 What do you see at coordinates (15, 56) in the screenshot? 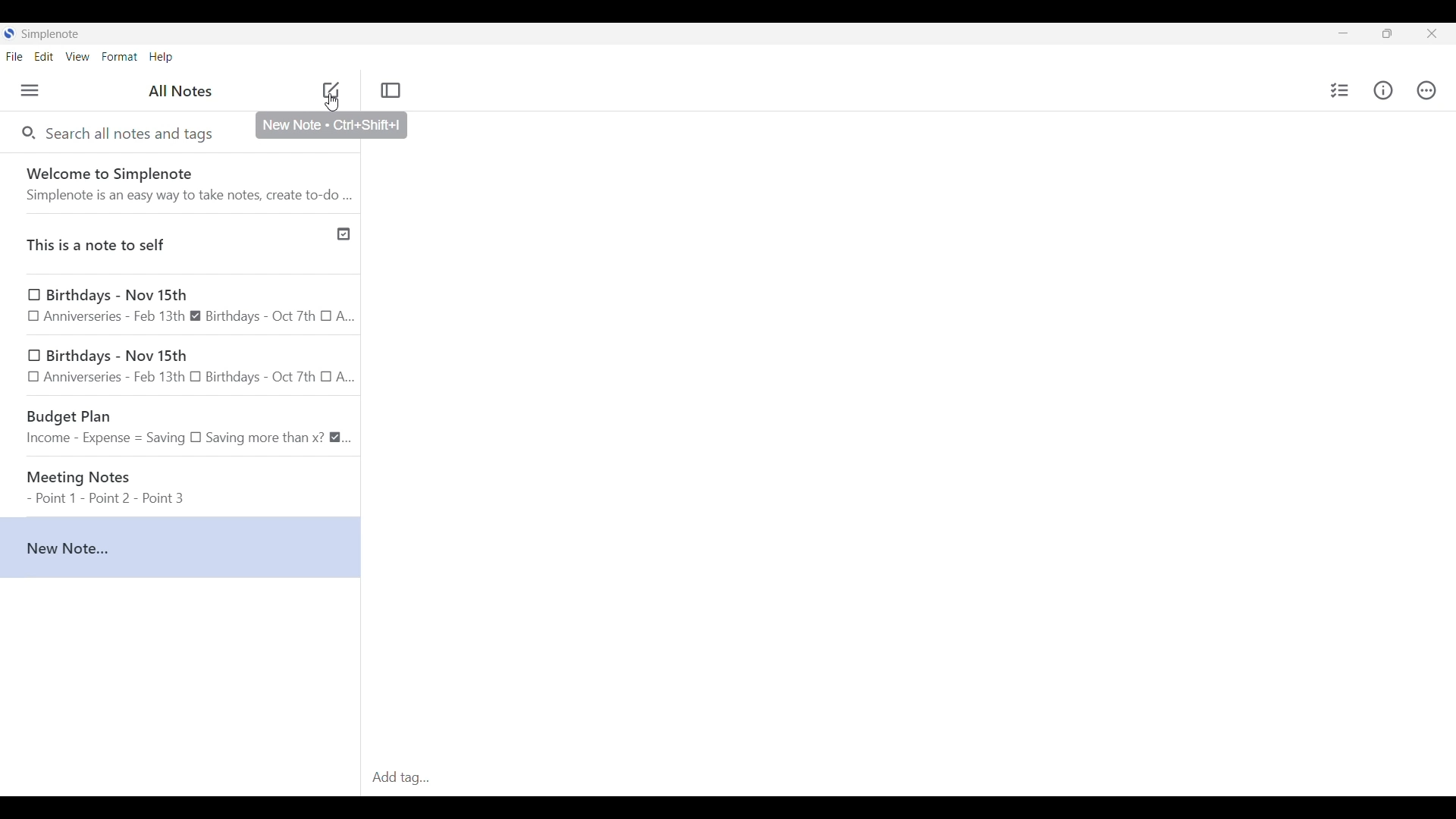
I see `File menu` at bounding box center [15, 56].